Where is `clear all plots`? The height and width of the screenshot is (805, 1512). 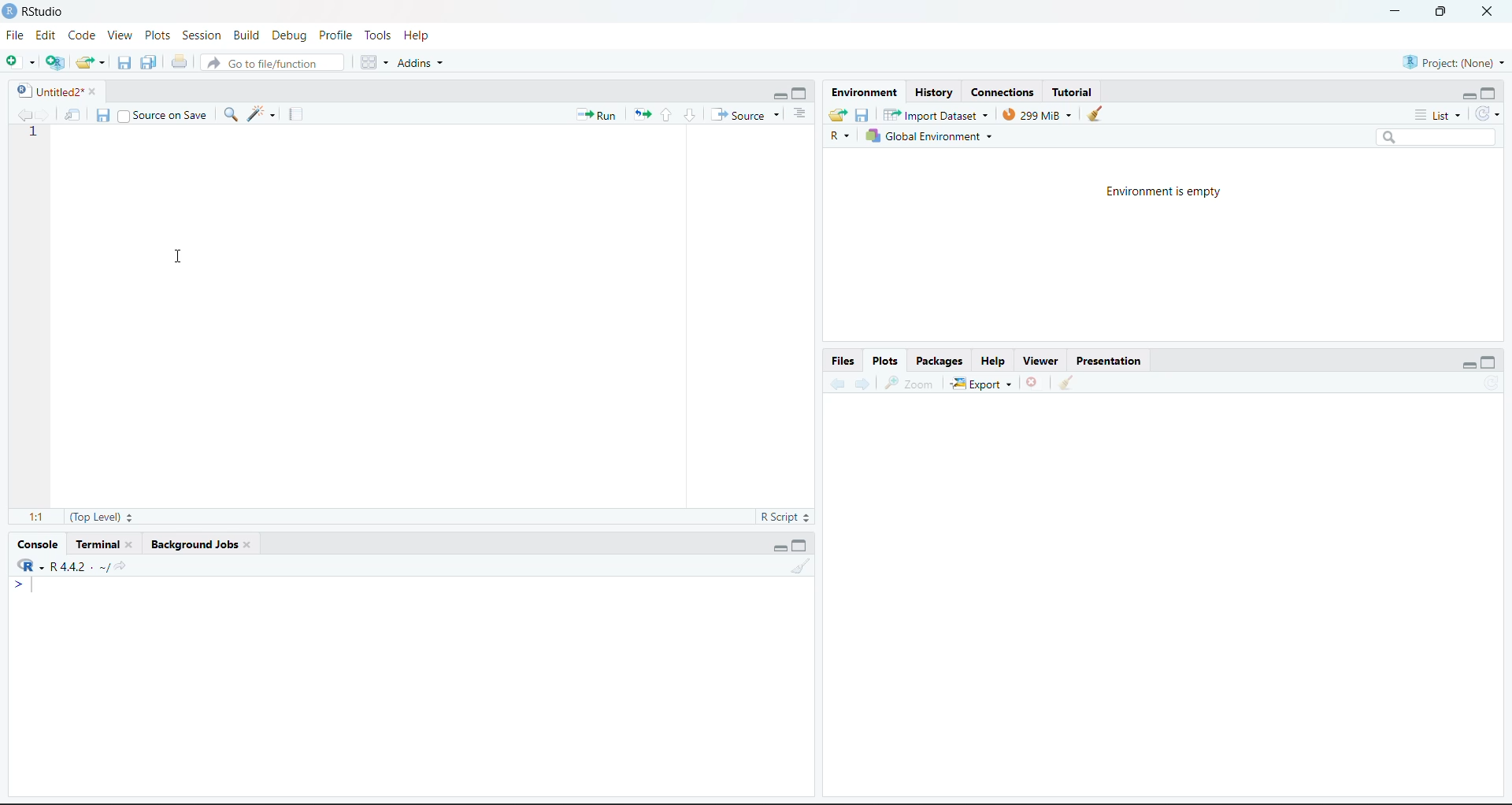 clear all plots is located at coordinates (1067, 384).